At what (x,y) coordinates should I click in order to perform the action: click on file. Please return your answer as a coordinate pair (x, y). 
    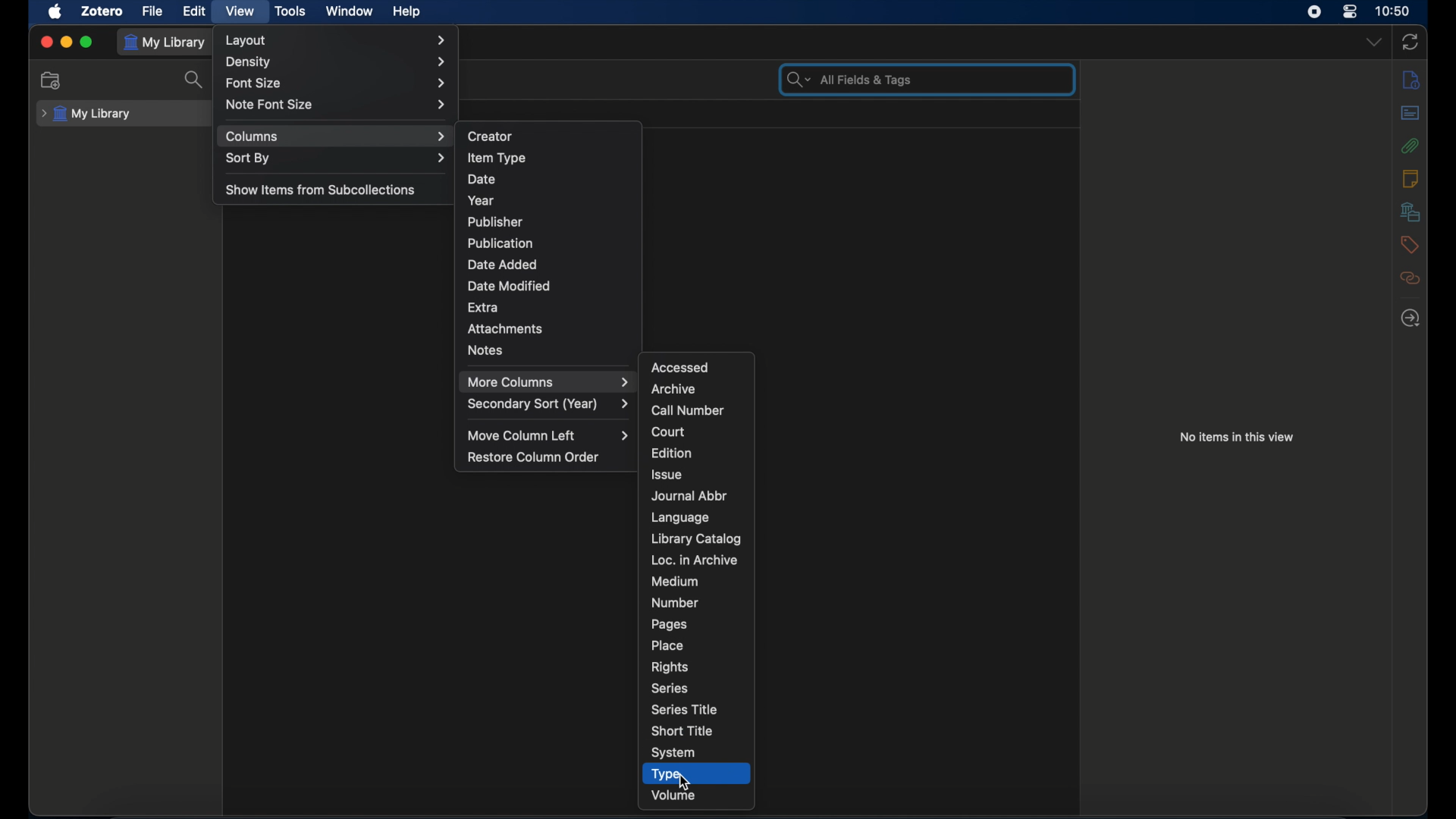
    Looking at the image, I should click on (152, 11).